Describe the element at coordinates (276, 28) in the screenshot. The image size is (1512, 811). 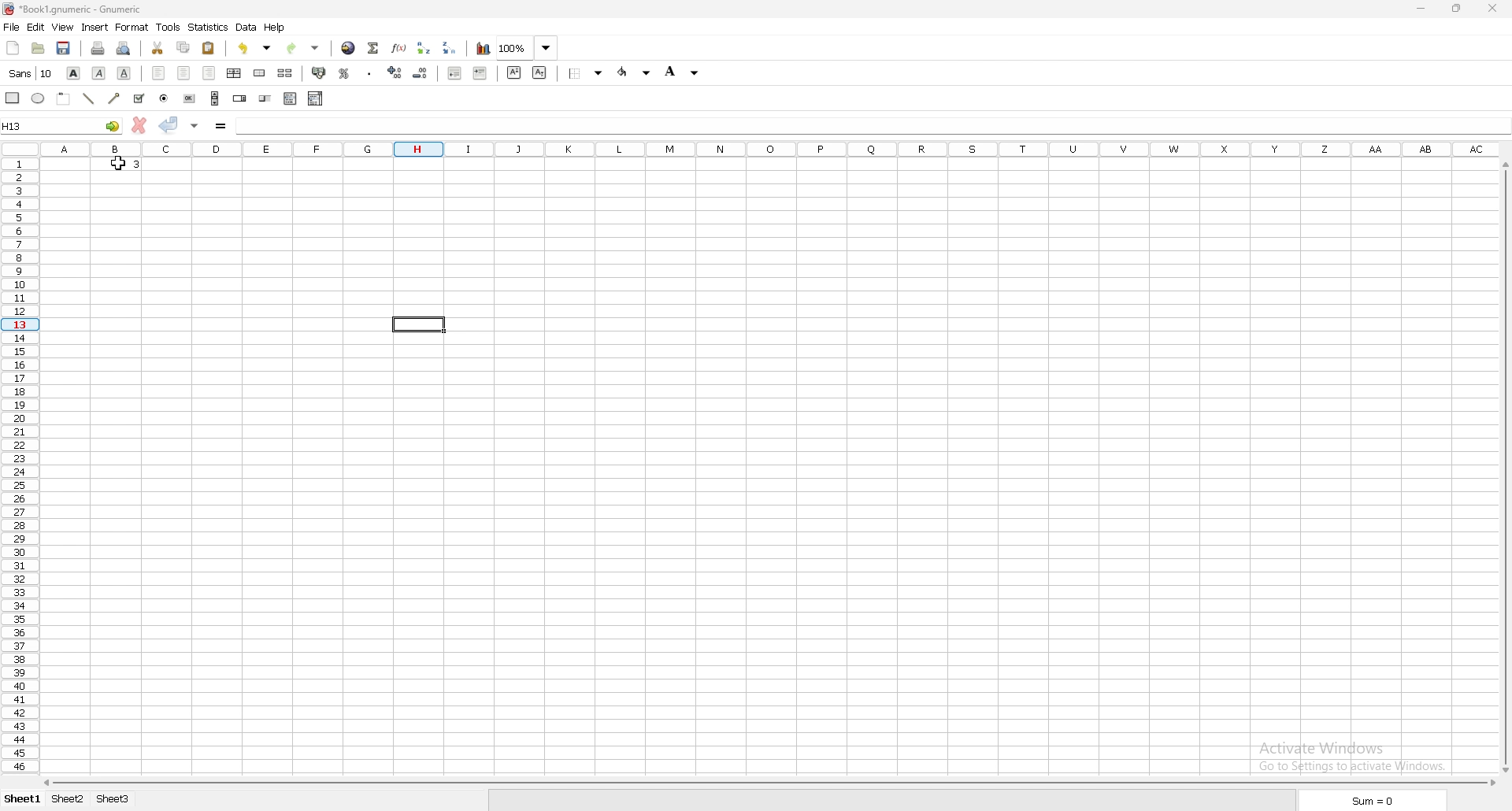
I see `help` at that location.